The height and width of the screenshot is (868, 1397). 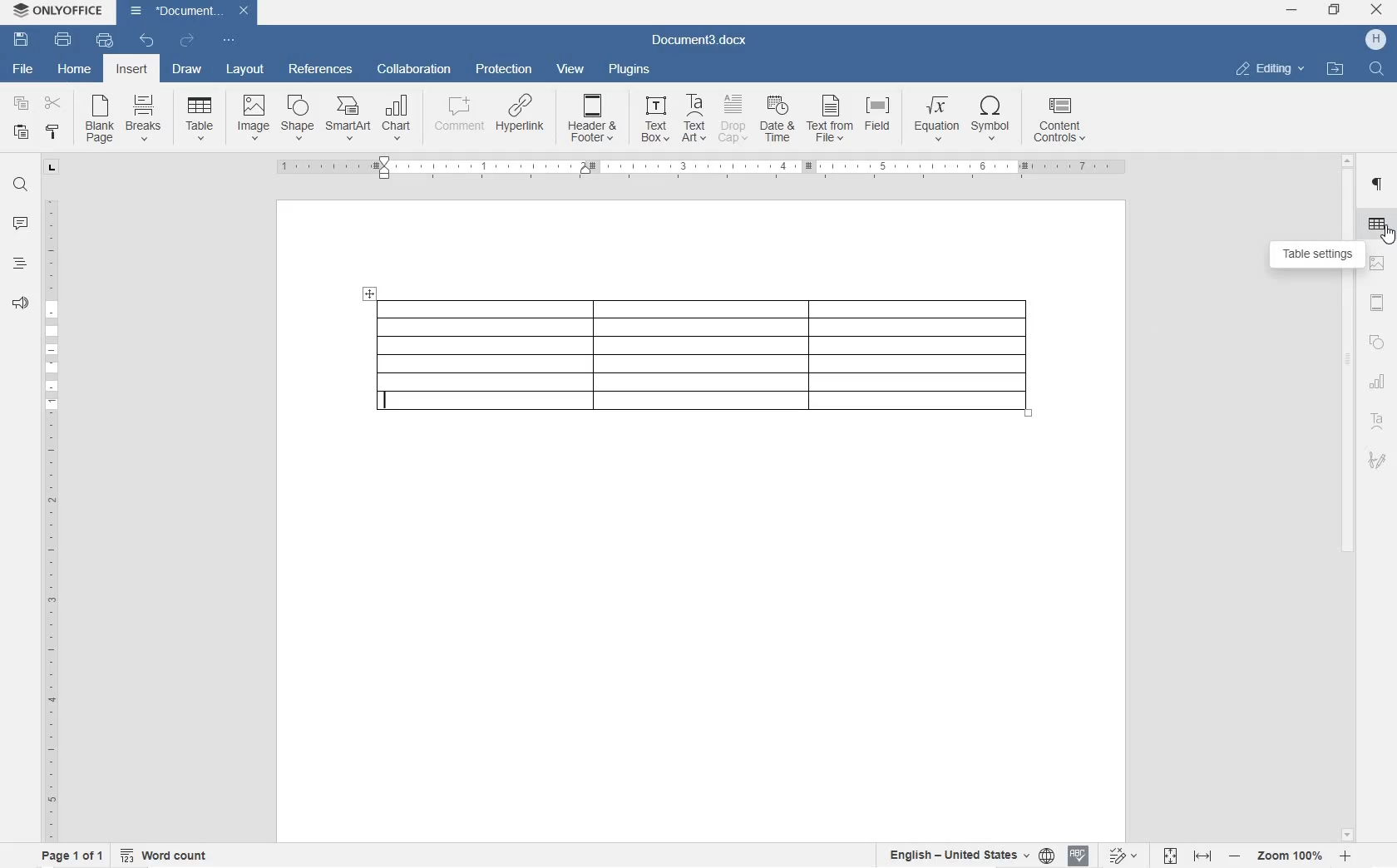 I want to click on EQUATION, so click(x=936, y=121).